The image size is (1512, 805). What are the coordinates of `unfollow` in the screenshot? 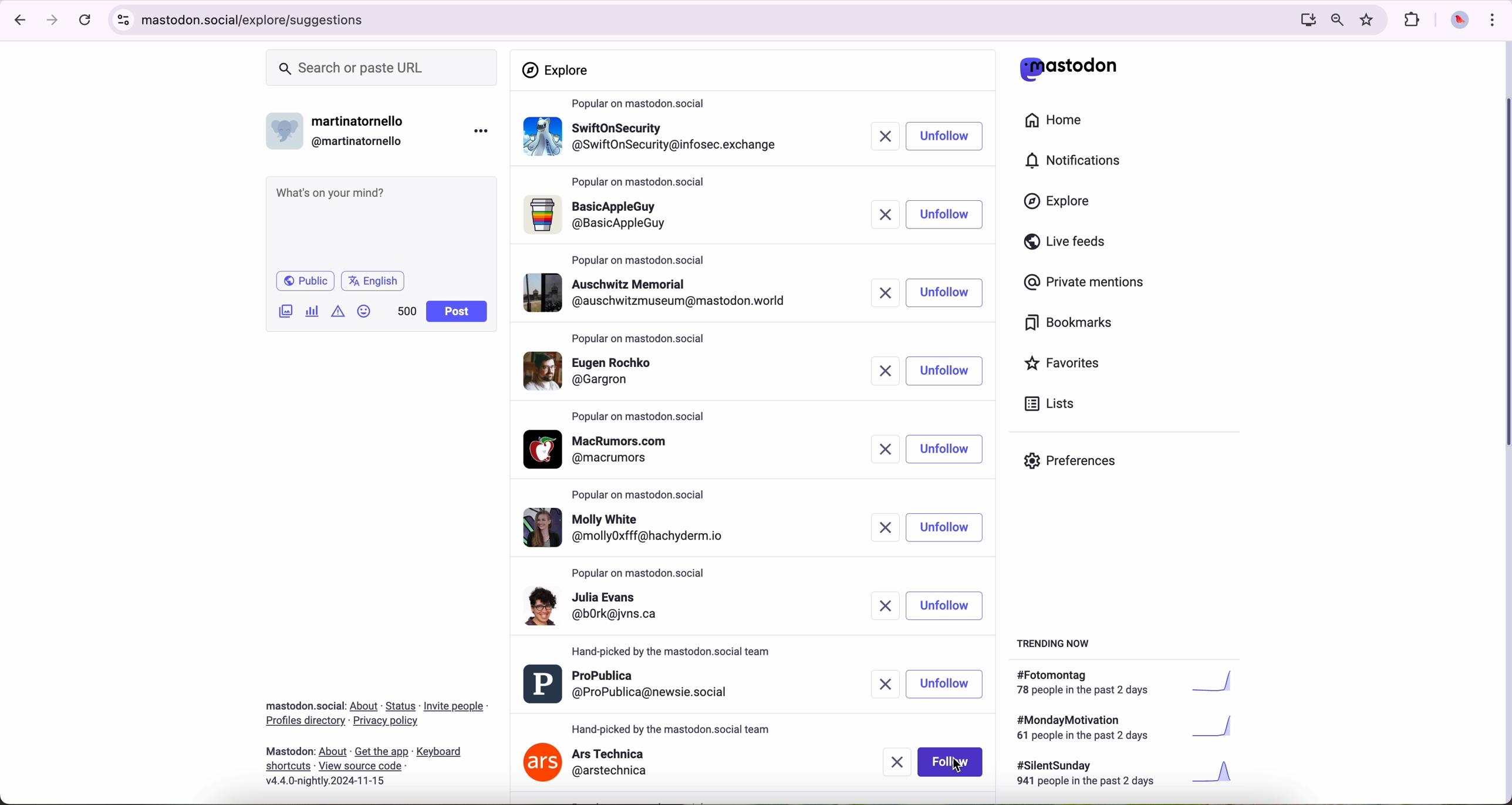 It's located at (944, 295).